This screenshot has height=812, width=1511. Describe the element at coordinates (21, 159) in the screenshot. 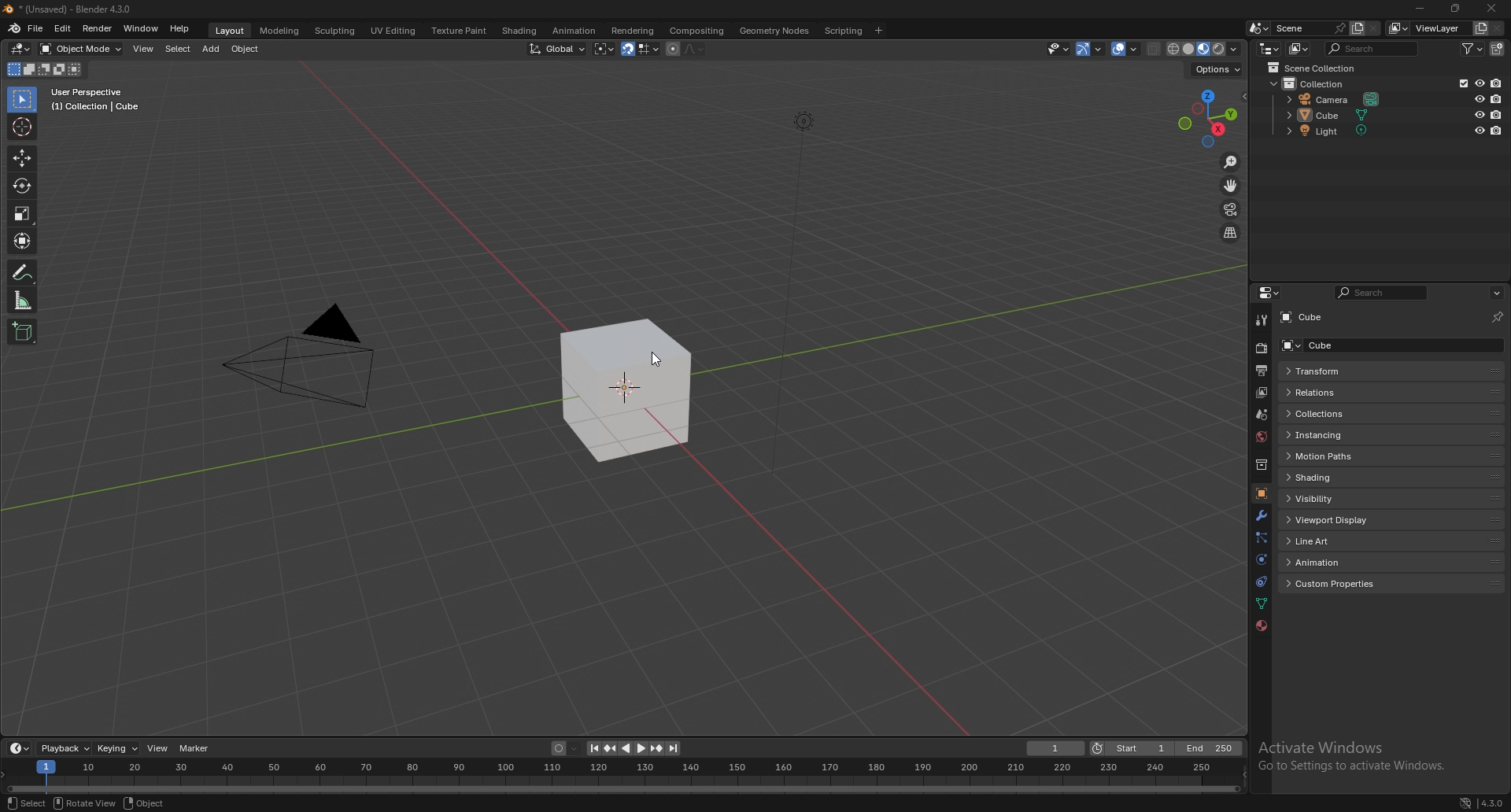

I see `move` at that location.